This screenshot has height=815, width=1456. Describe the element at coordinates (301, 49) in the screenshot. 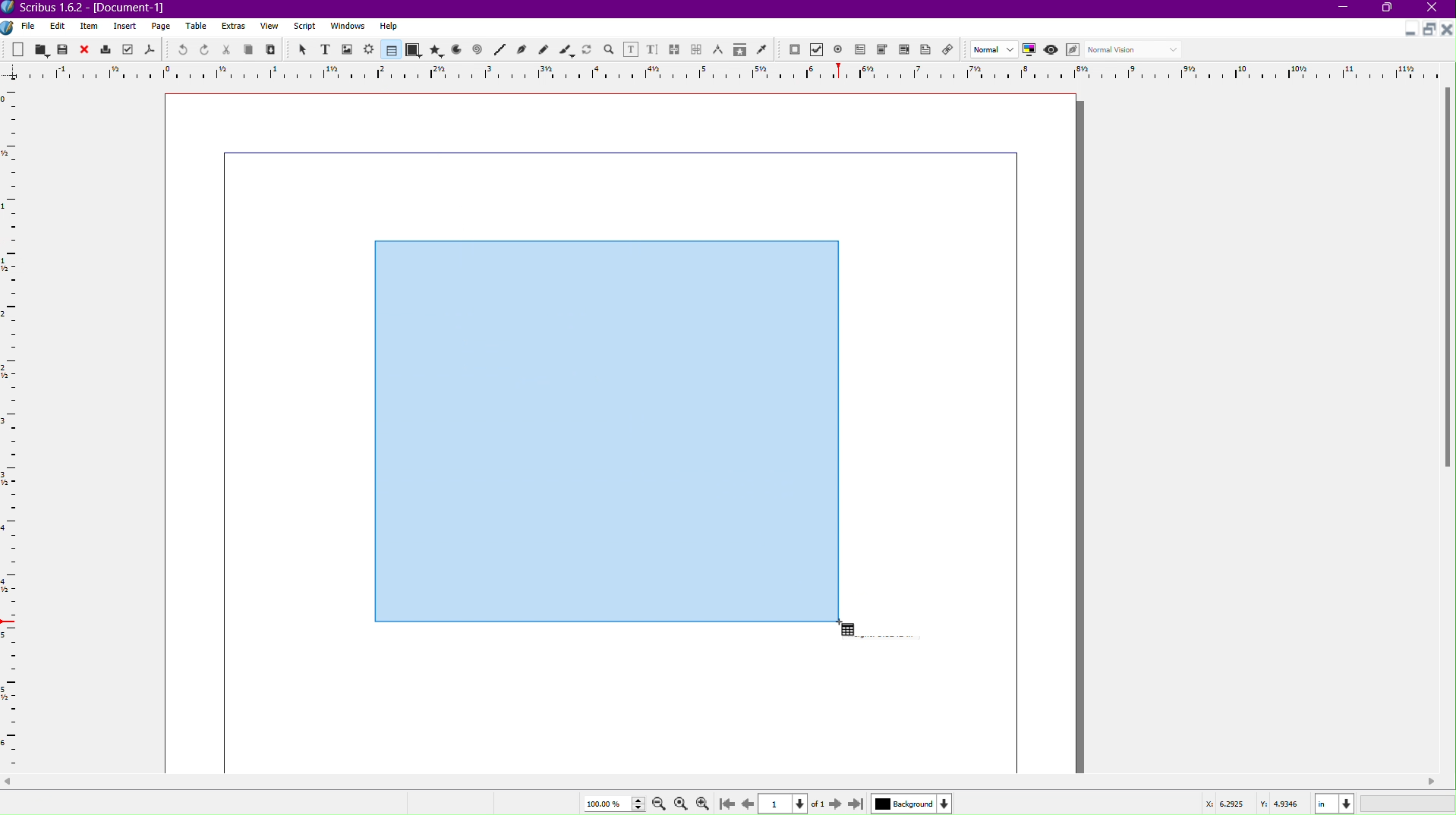

I see `Select Item` at that location.